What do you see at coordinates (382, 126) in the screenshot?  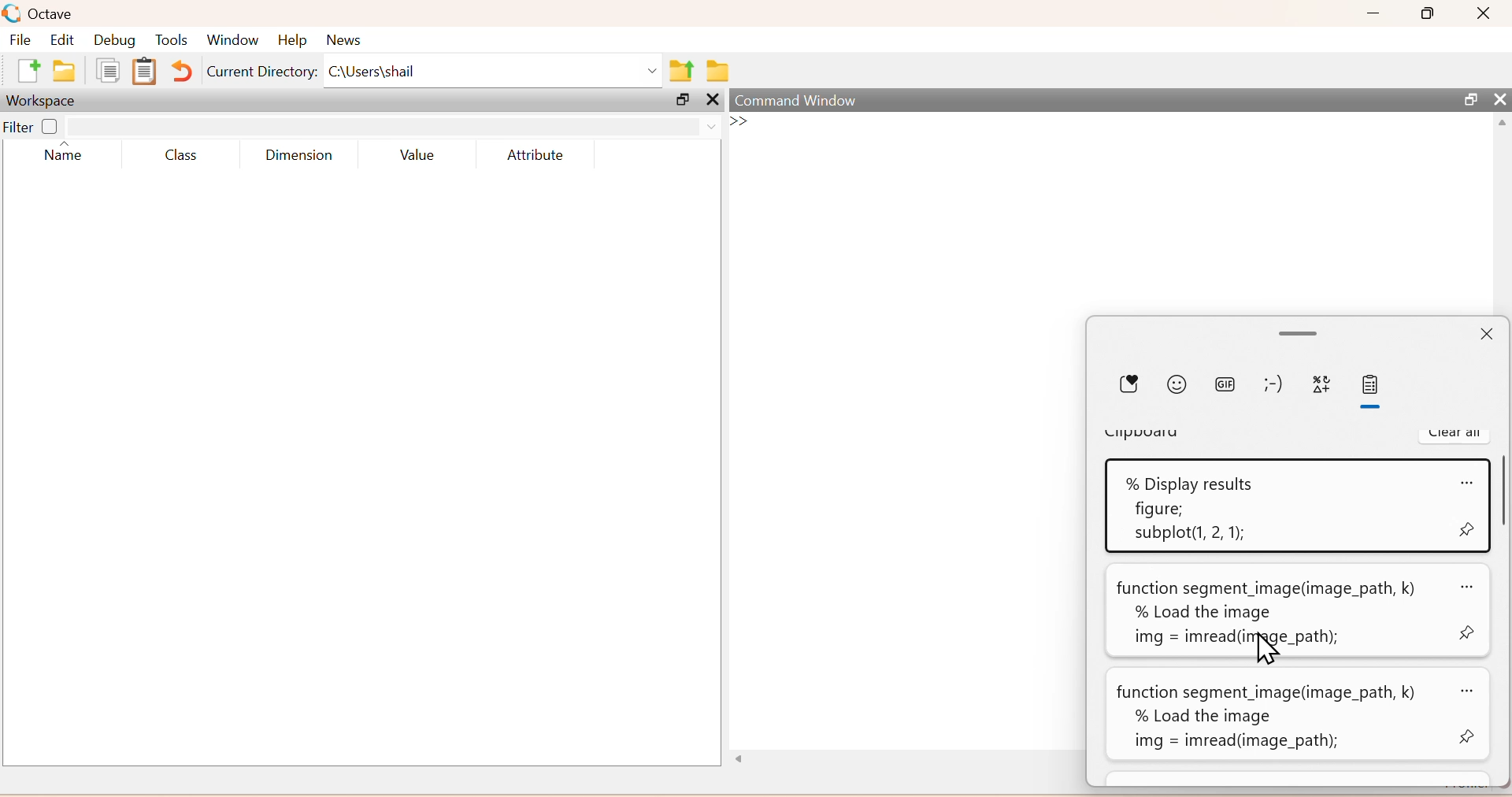 I see `search box` at bounding box center [382, 126].